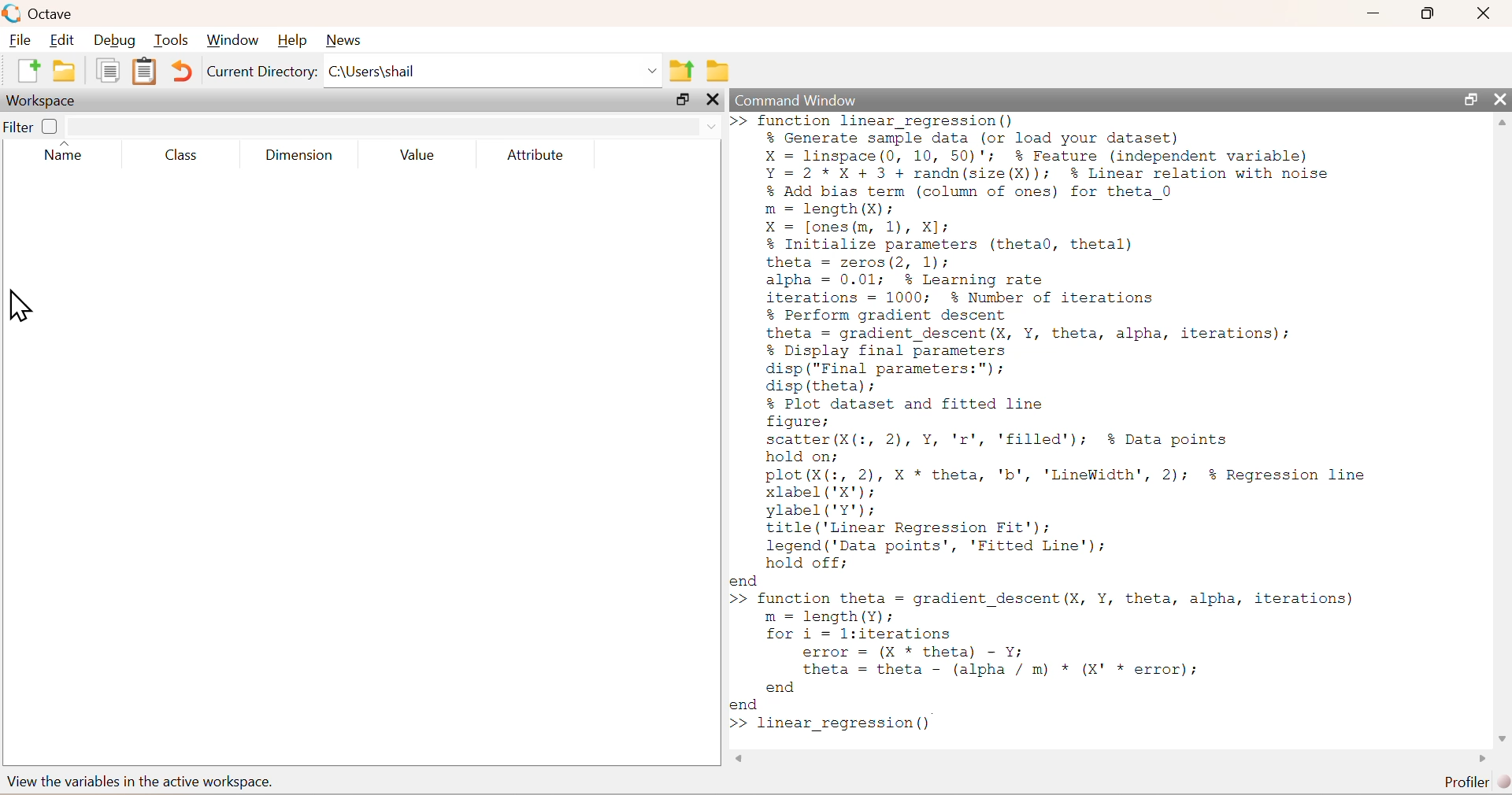 The image size is (1512, 795). What do you see at coordinates (1482, 13) in the screenshot?
I see `close` at bounding box center [1482, 13].